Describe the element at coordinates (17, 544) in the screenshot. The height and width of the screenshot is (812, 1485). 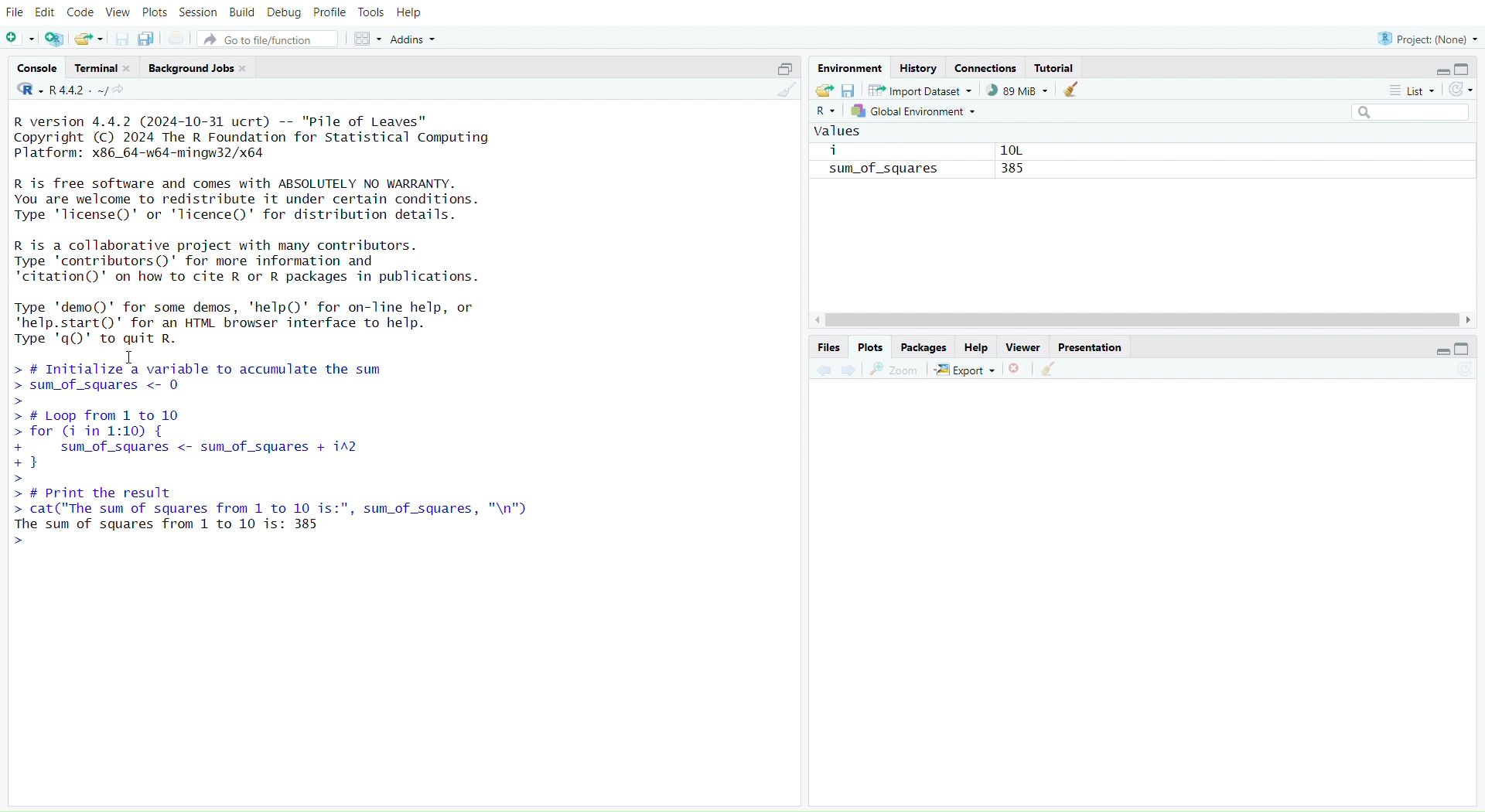
I see `prompt cursor` at that location.